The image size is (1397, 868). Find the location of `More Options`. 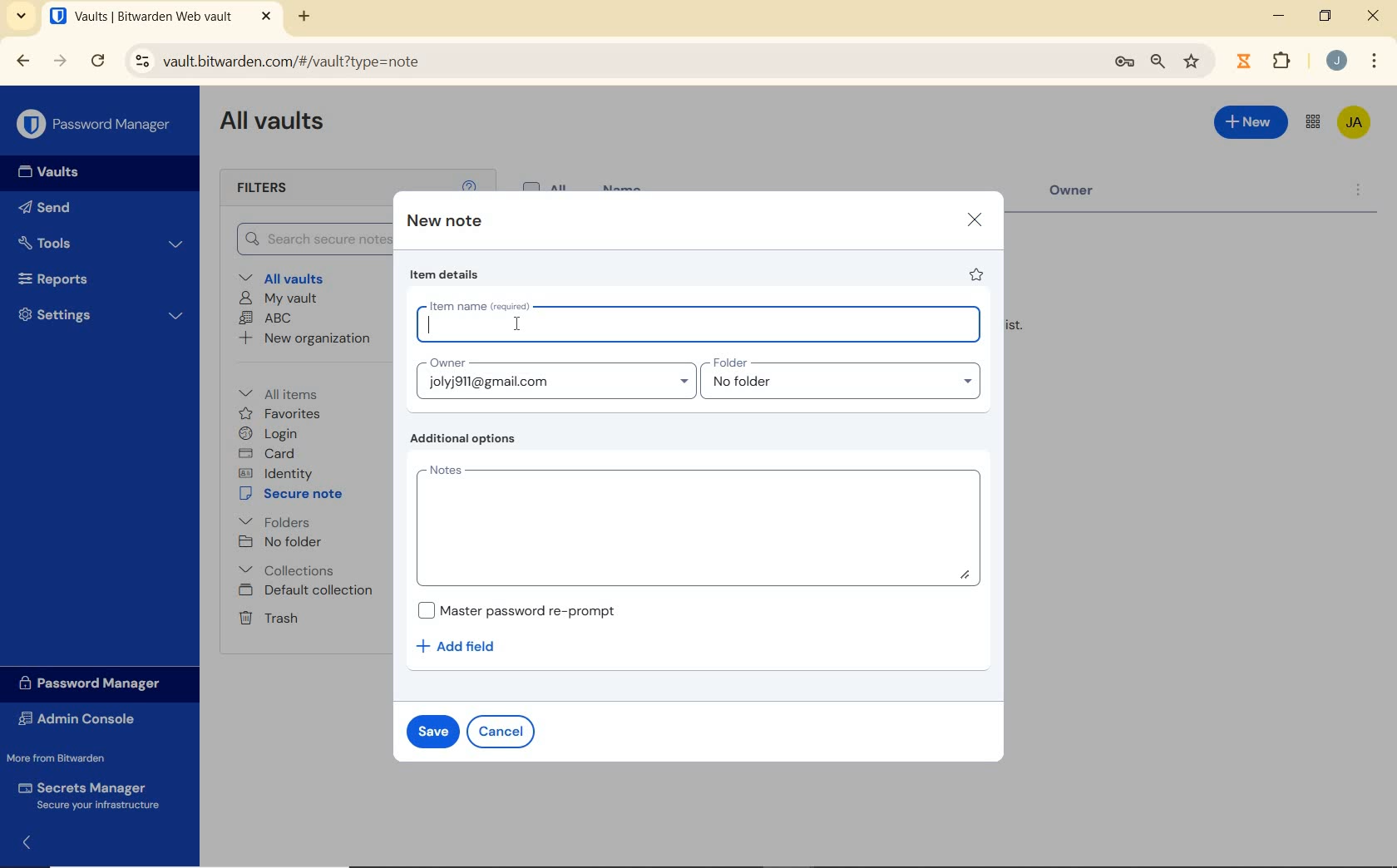

More Options is located at coordinates (1374, 62).